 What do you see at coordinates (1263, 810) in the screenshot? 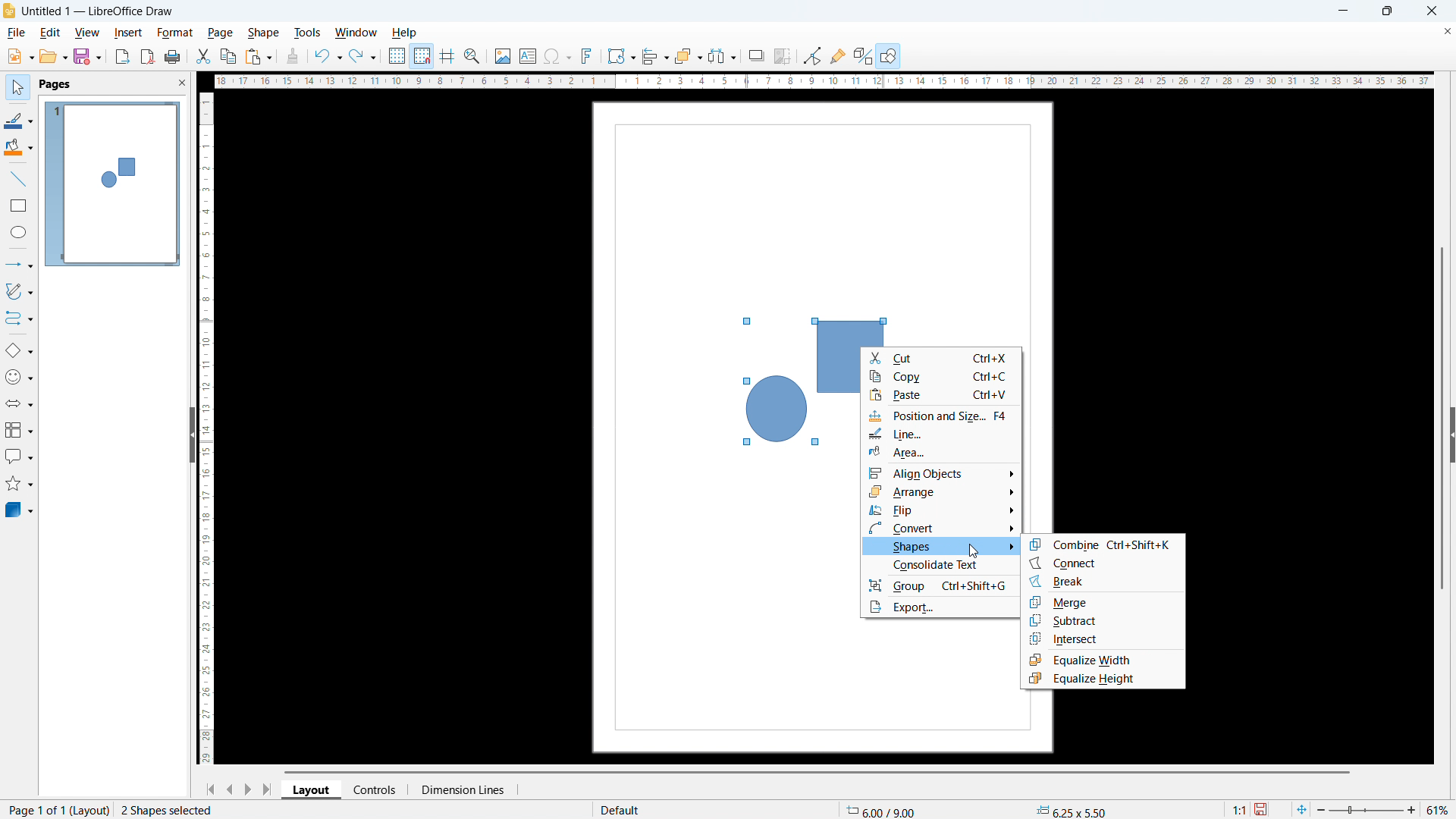
I see `save` at bounding box center [1263, 810].